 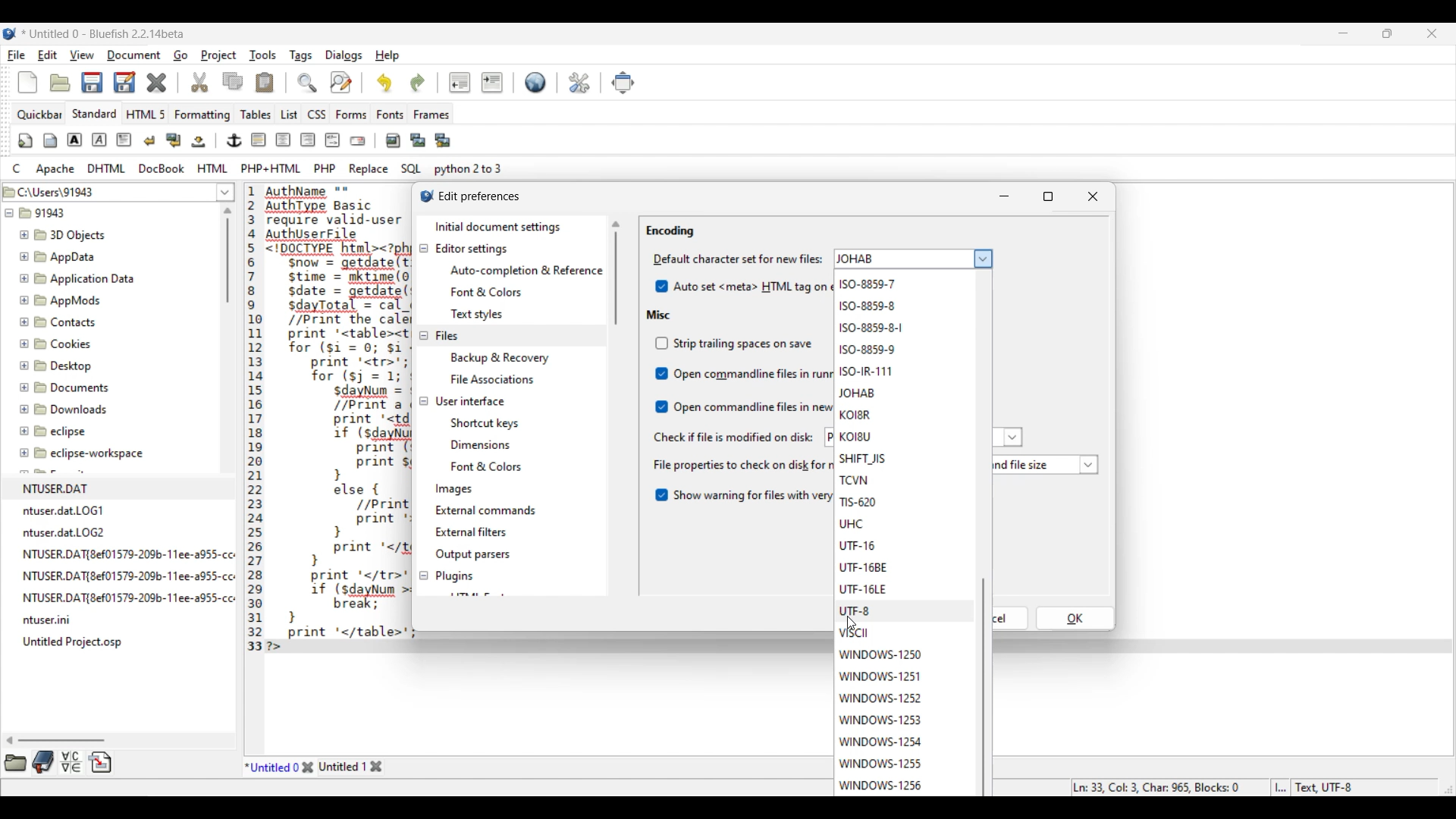 I want to click on Show in smaller tab, so click(x=1387, y=33).